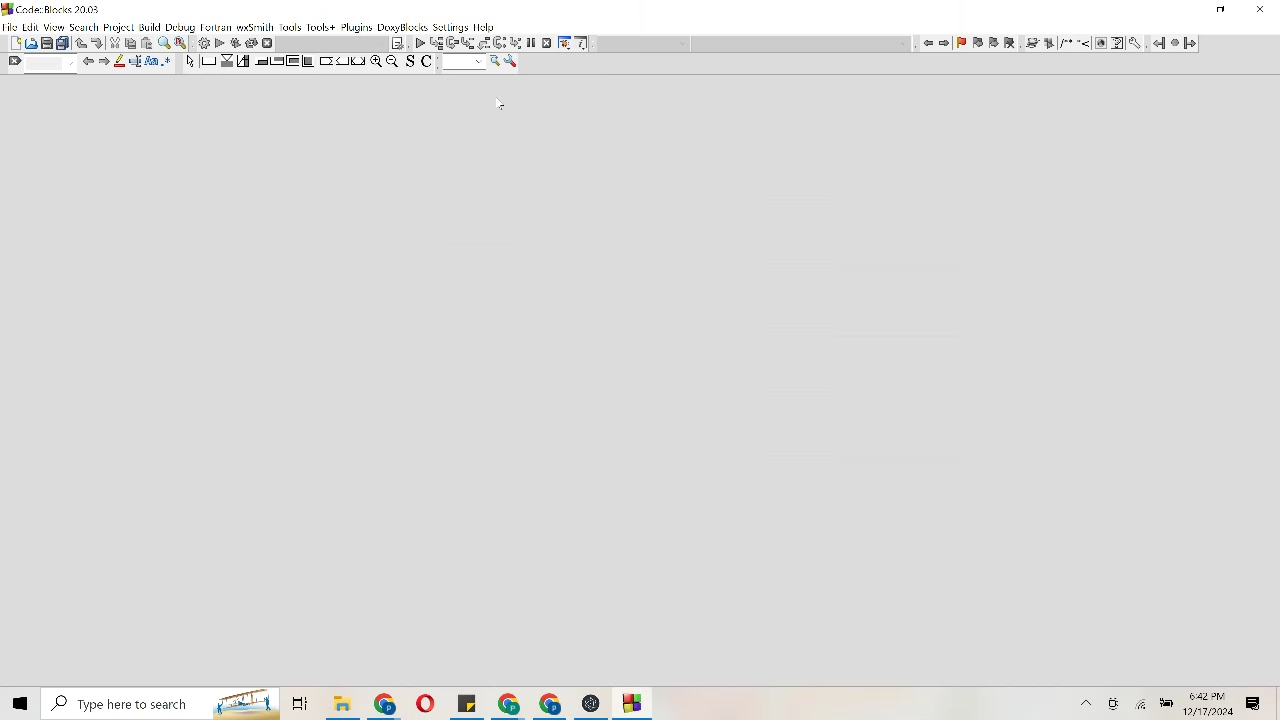 The height and width of the screenshot is (720, 1280). What do you see at coordinates (105, 61) in the screenshot?
I see `Move right` at bounding box center [105, 61].